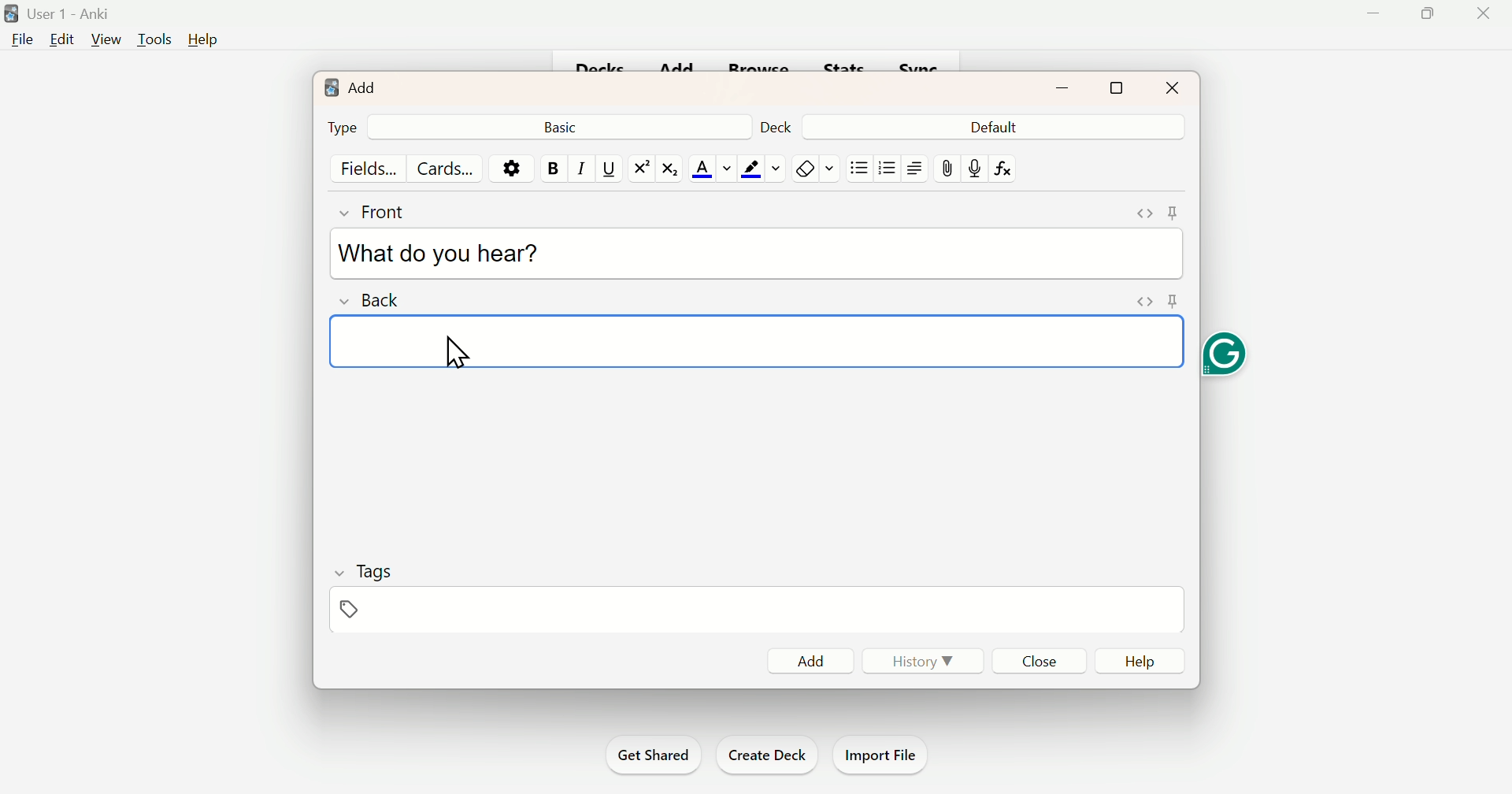  Describe the element at coordinates (348, 610) in the screenshot. I see `Pin` at that location.